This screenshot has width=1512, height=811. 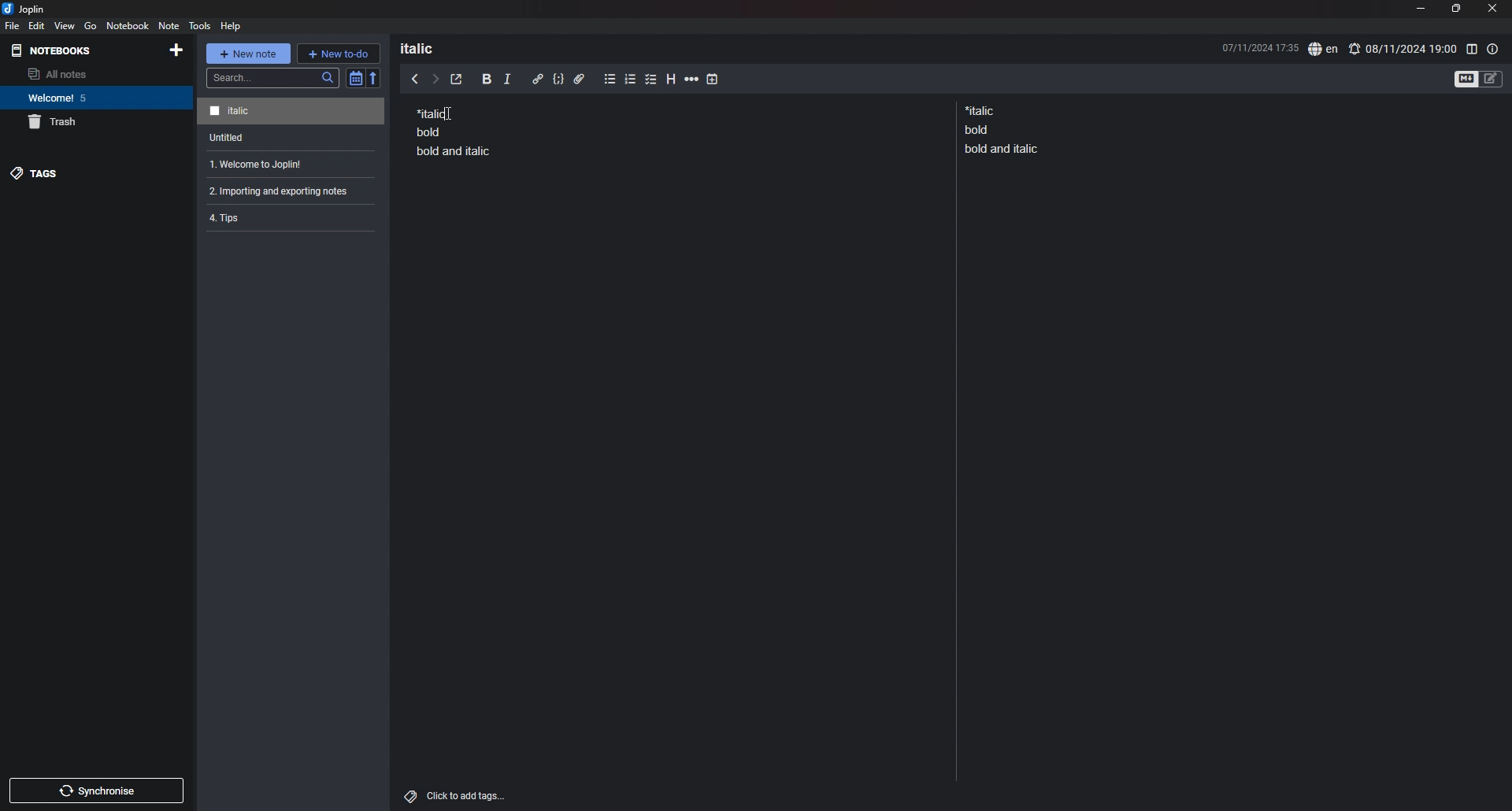 What do you see at coordinates (355, 78) in the screenshot?
I see `toggle sort order` at bounding box center [355, 78].